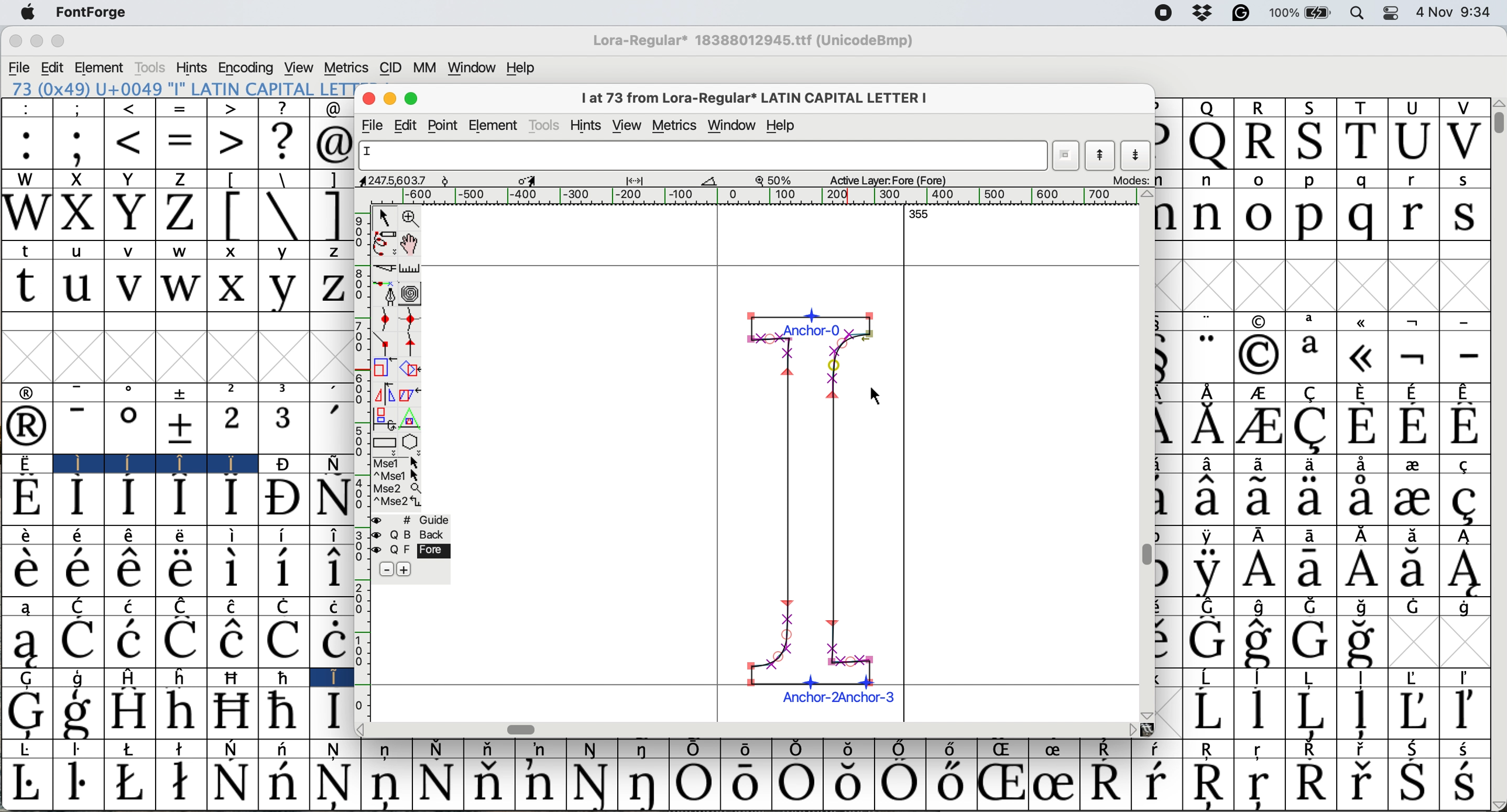  Describe the element at coordinates (1205, 571) in the screenshot. I see `Symbol` at that location.